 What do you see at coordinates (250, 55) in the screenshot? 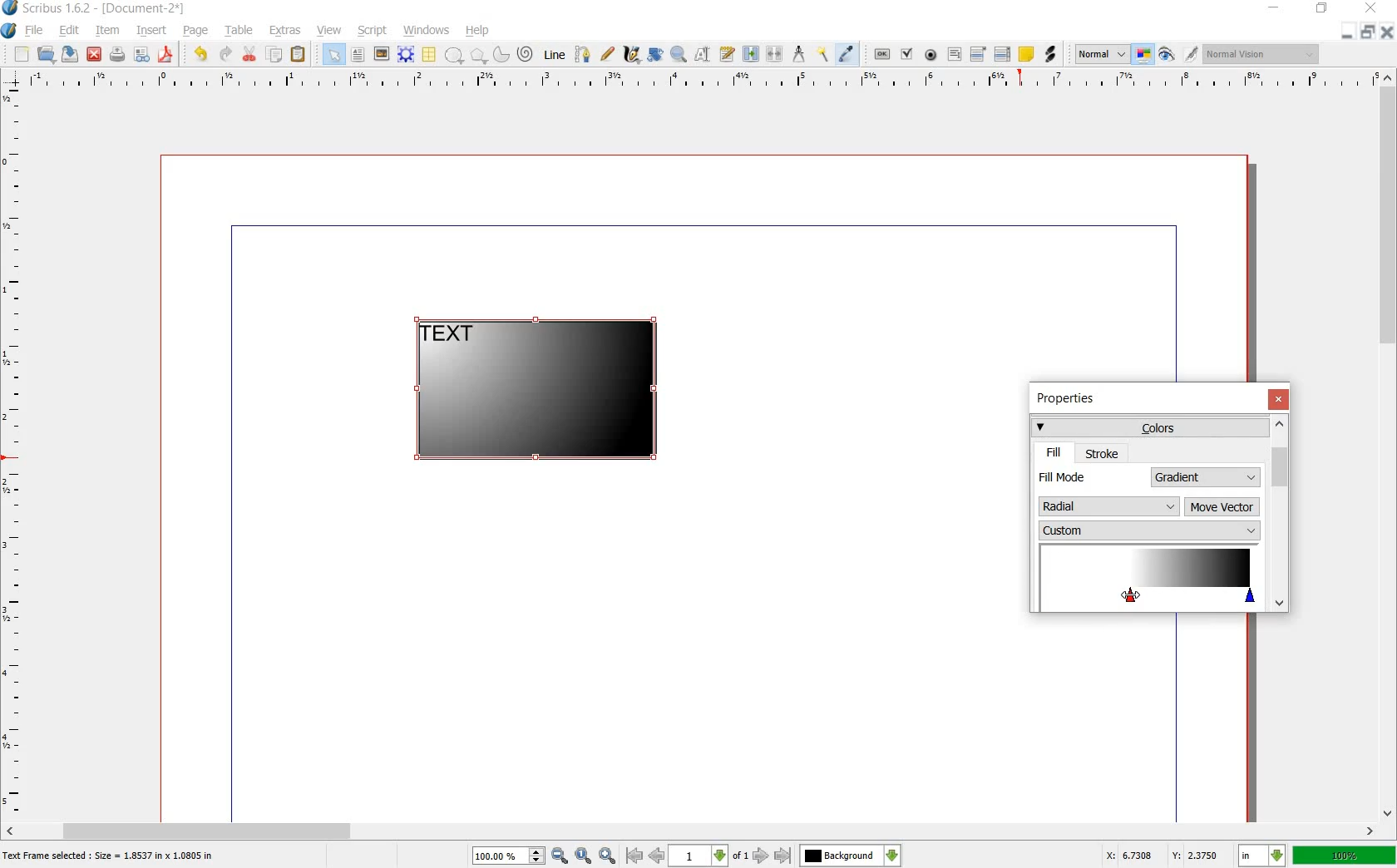
I see `cut` at bounding box center [250, 55].